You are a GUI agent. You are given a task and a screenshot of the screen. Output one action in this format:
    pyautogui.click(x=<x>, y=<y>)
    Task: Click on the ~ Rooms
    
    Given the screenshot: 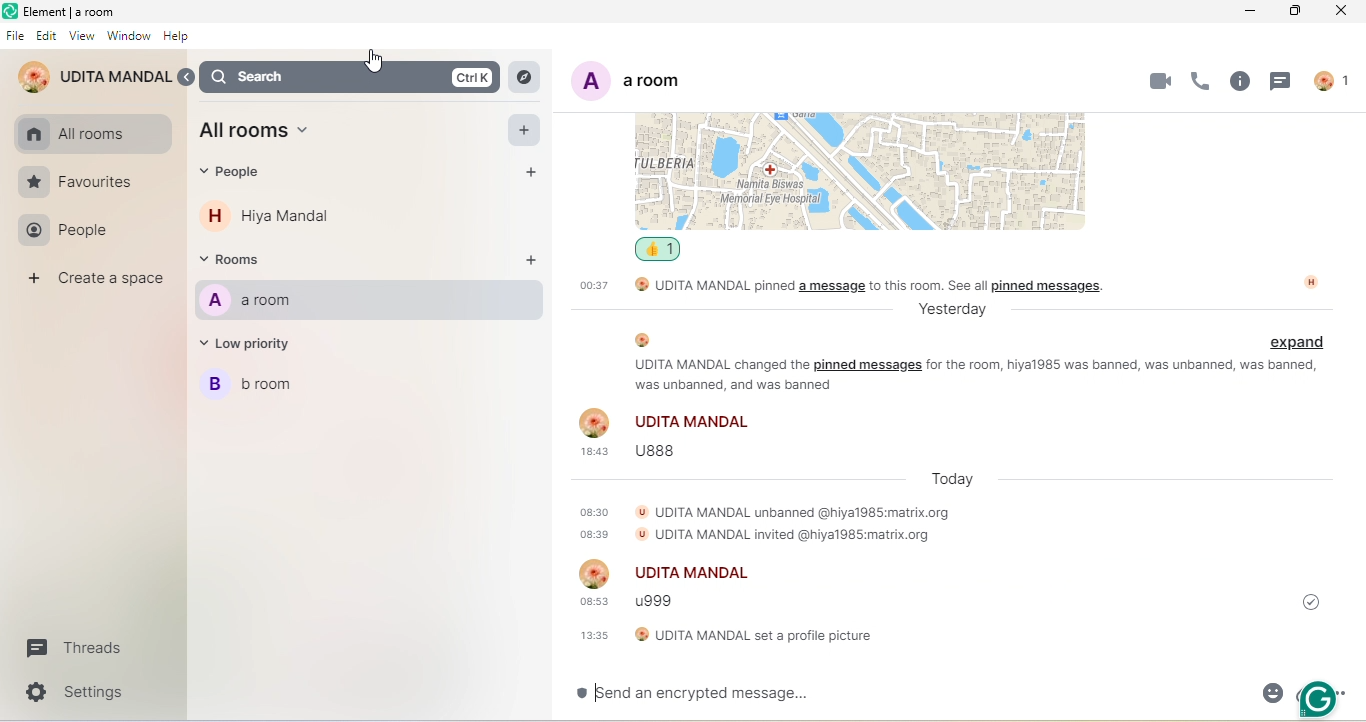 What is the action you would take?
    pyautogui.click(x=247, y=261)
    